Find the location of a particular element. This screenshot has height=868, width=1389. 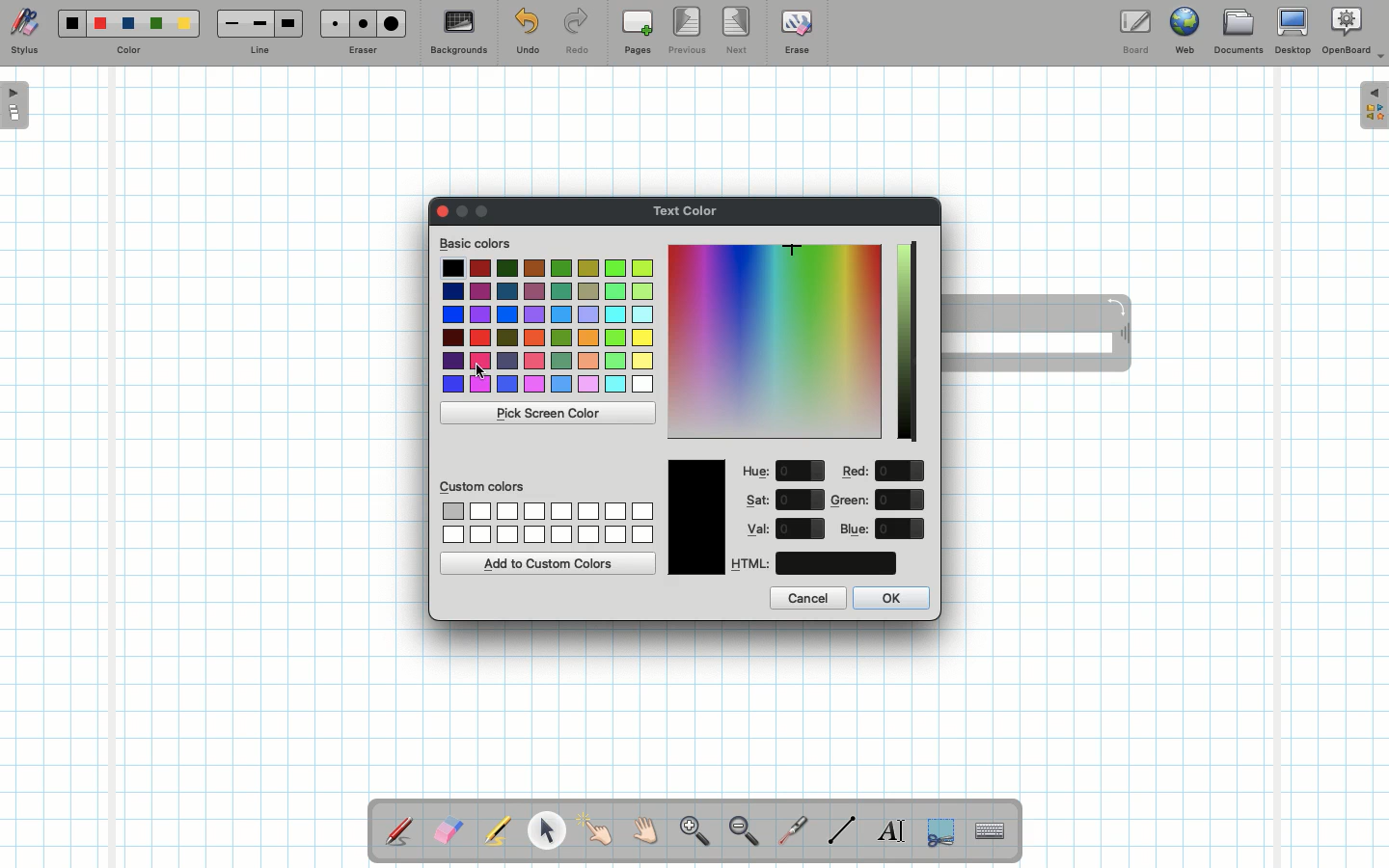

Selection is located at coordinates (939, 829).